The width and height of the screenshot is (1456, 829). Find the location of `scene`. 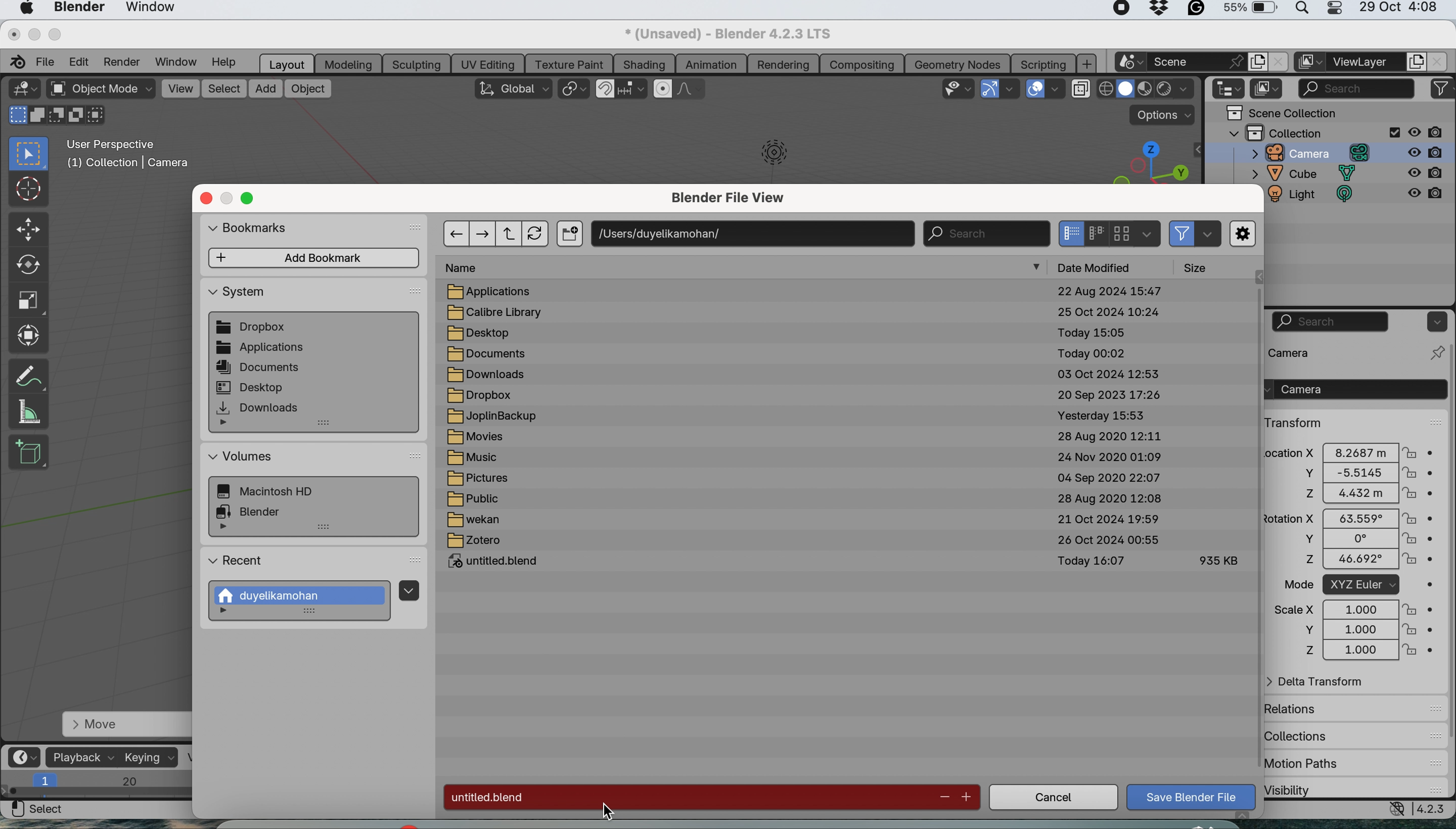

scene is located at coordinates (1196, 61).